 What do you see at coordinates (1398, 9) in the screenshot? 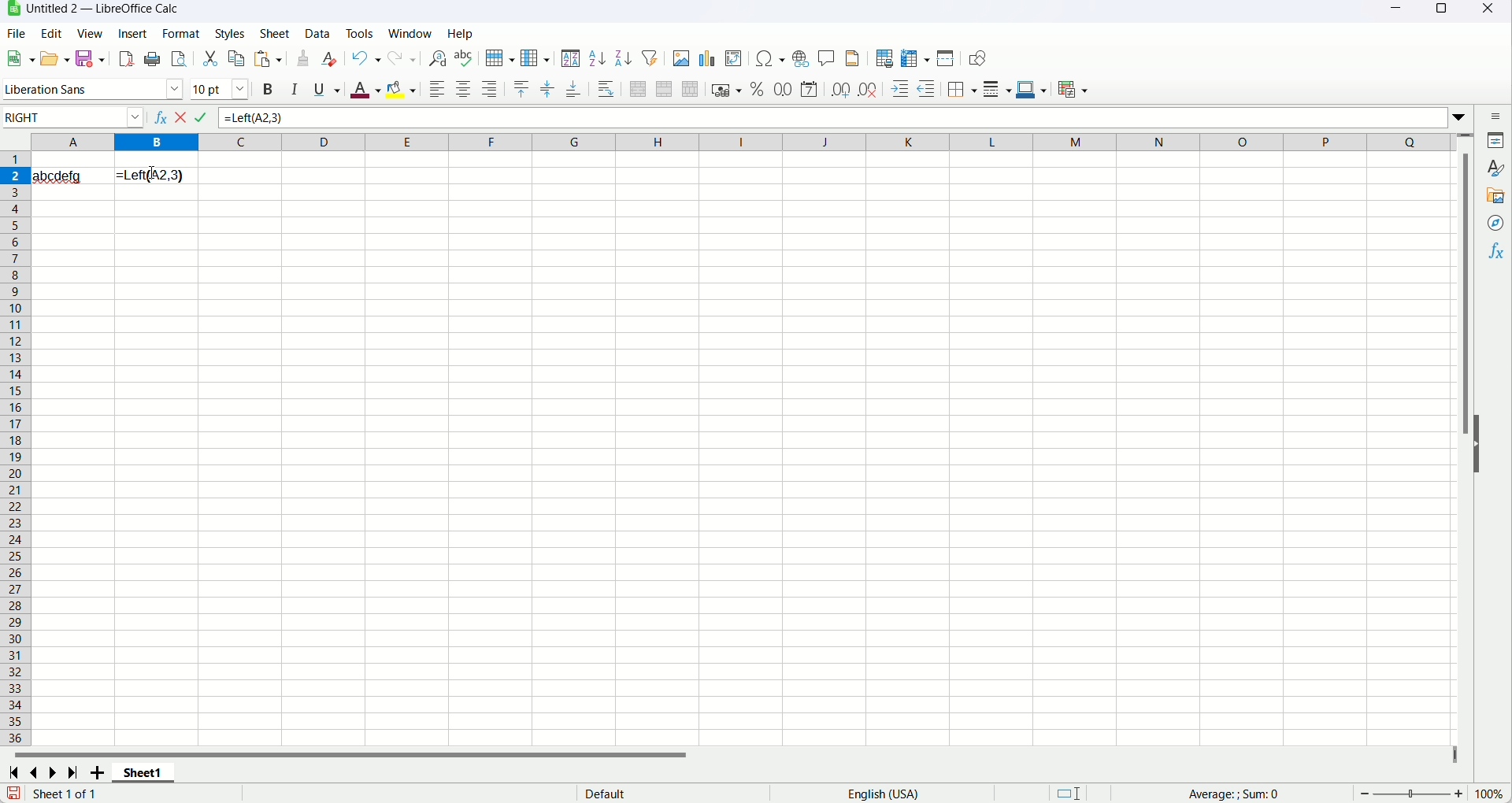
I see `minimize` at bounding box center [1398, 9].